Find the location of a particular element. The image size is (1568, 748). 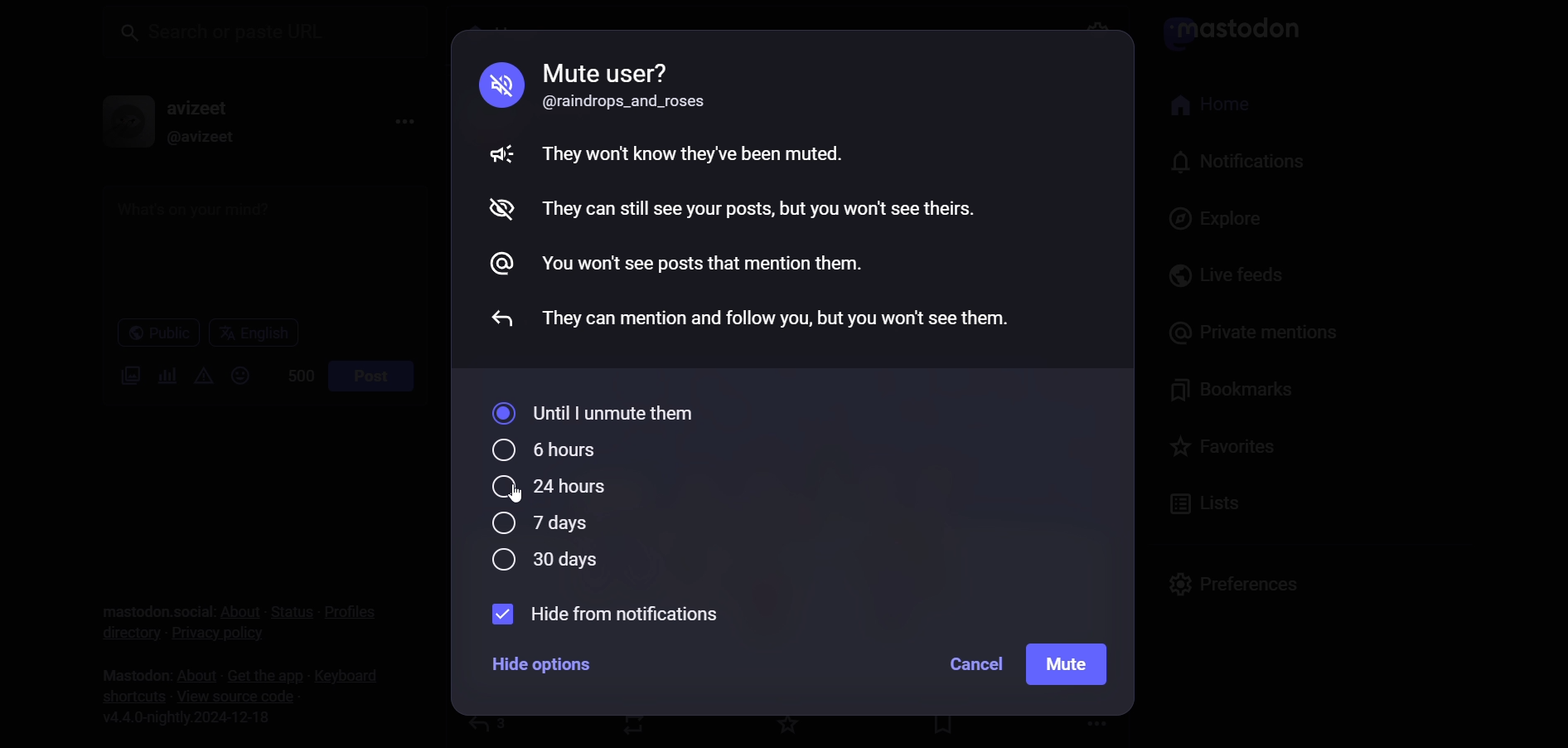

hide options is located at coordinates (544, 668).